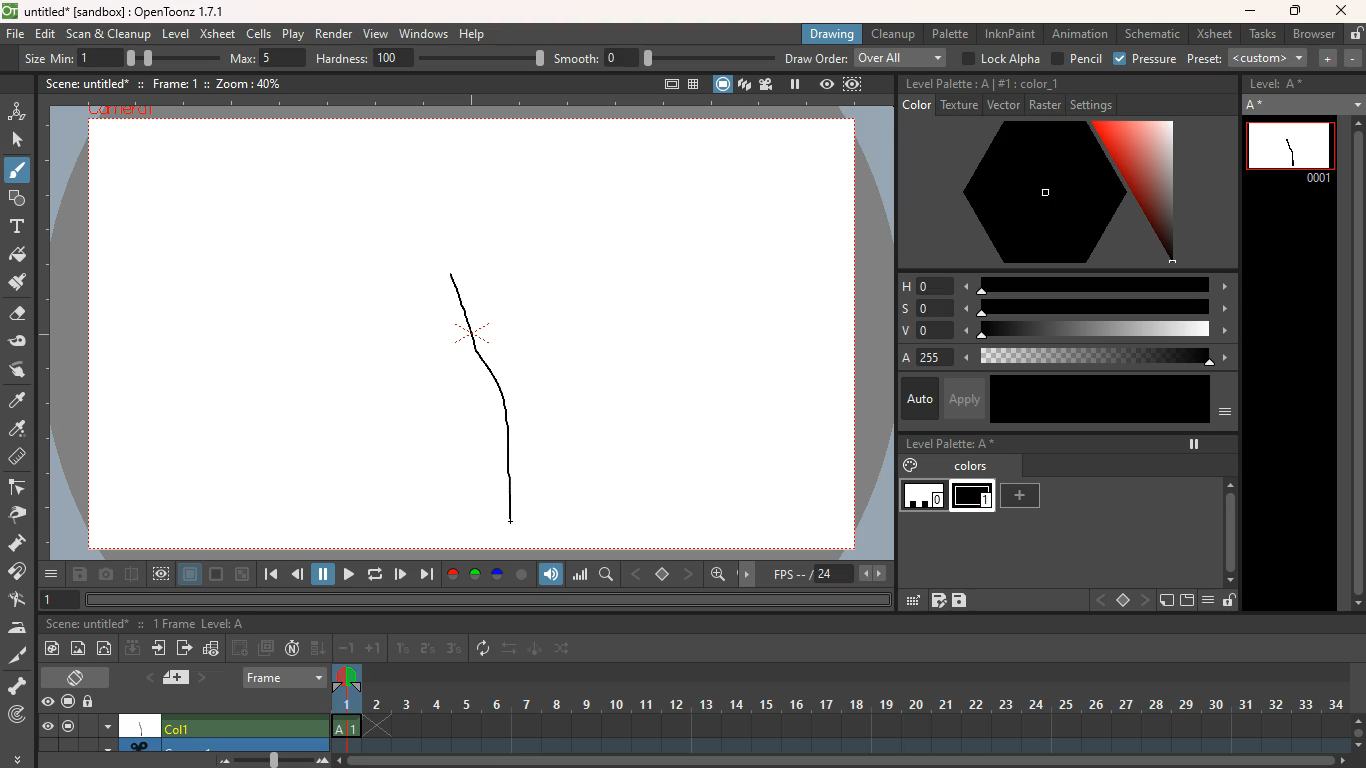 This screenshot has width=1366, height=768. Describe the element at coordinates (950, 445) in the screenshot. I see `level palette: A*` at that location.